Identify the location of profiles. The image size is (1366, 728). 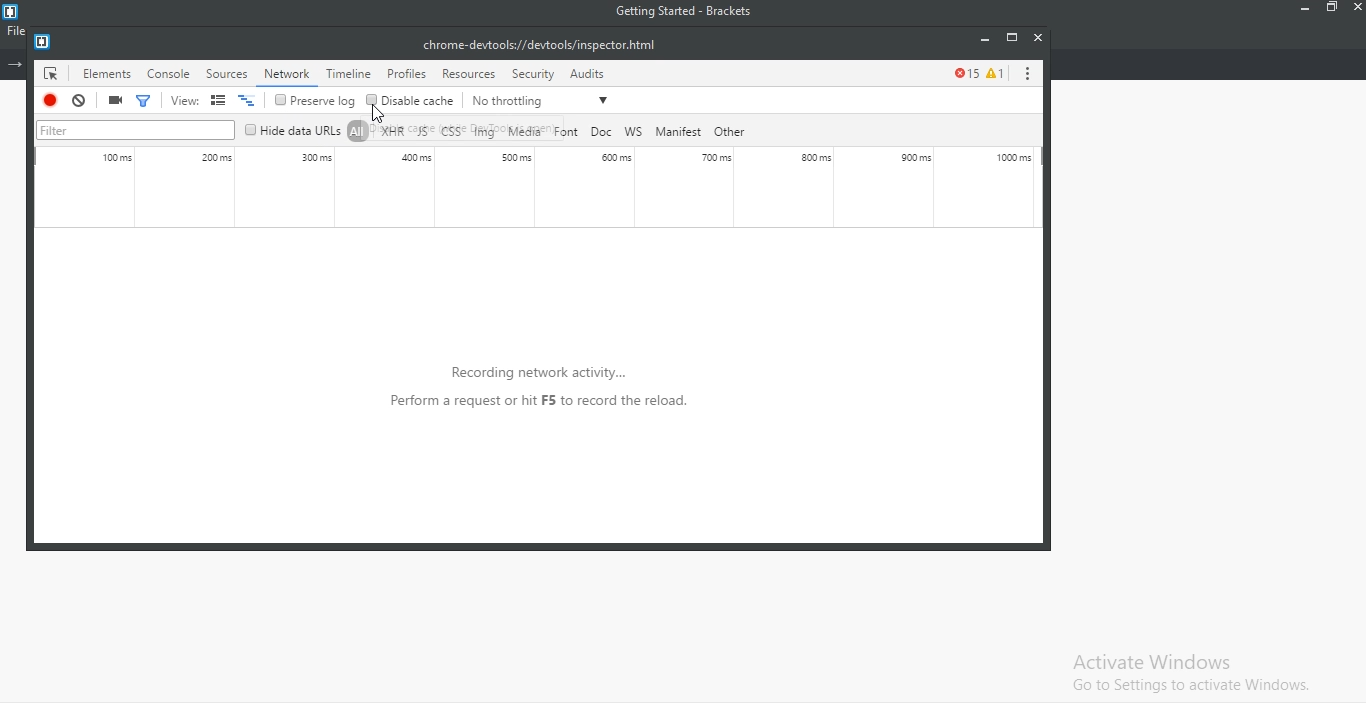
(405, 75).